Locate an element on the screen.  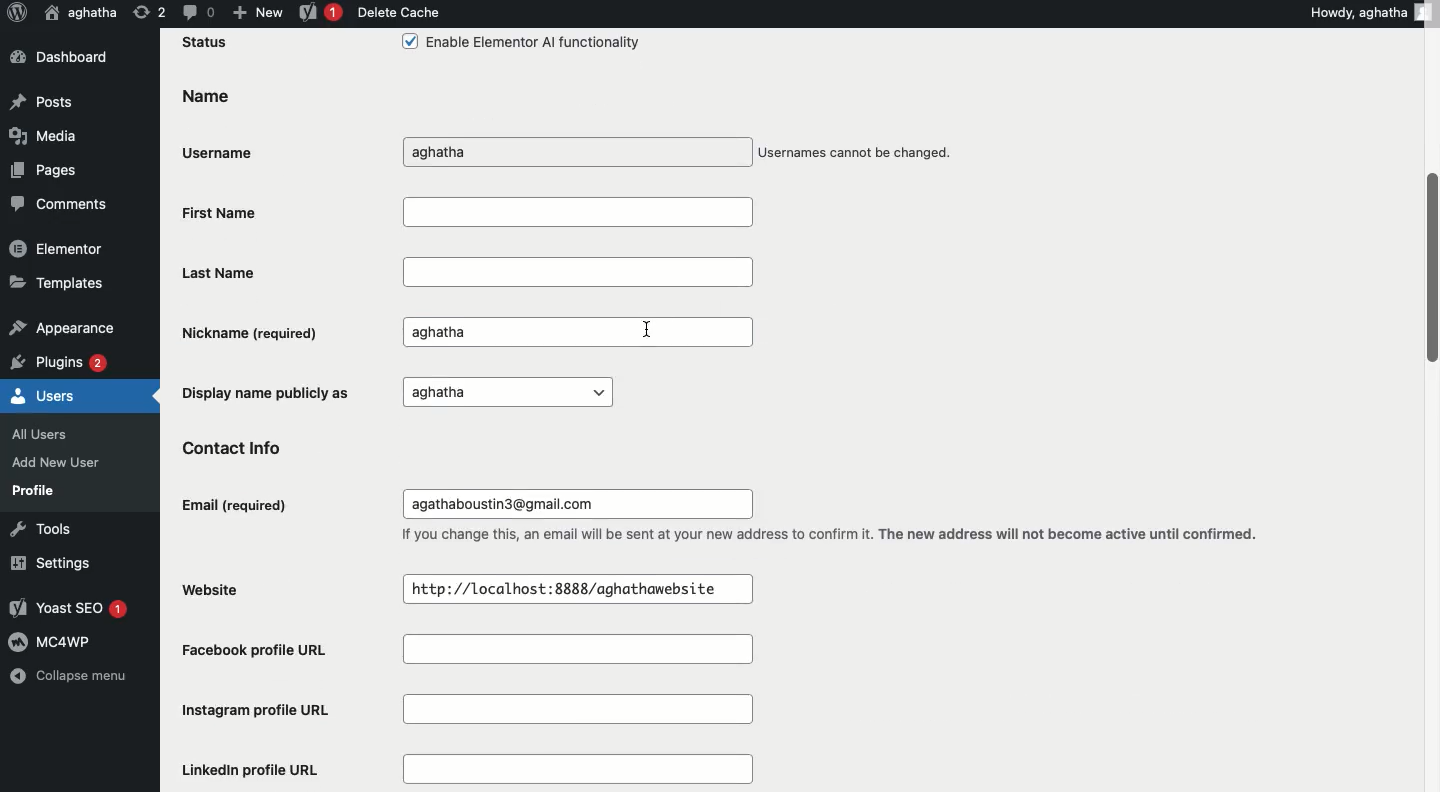
Status is located at coordinates (206, 43).